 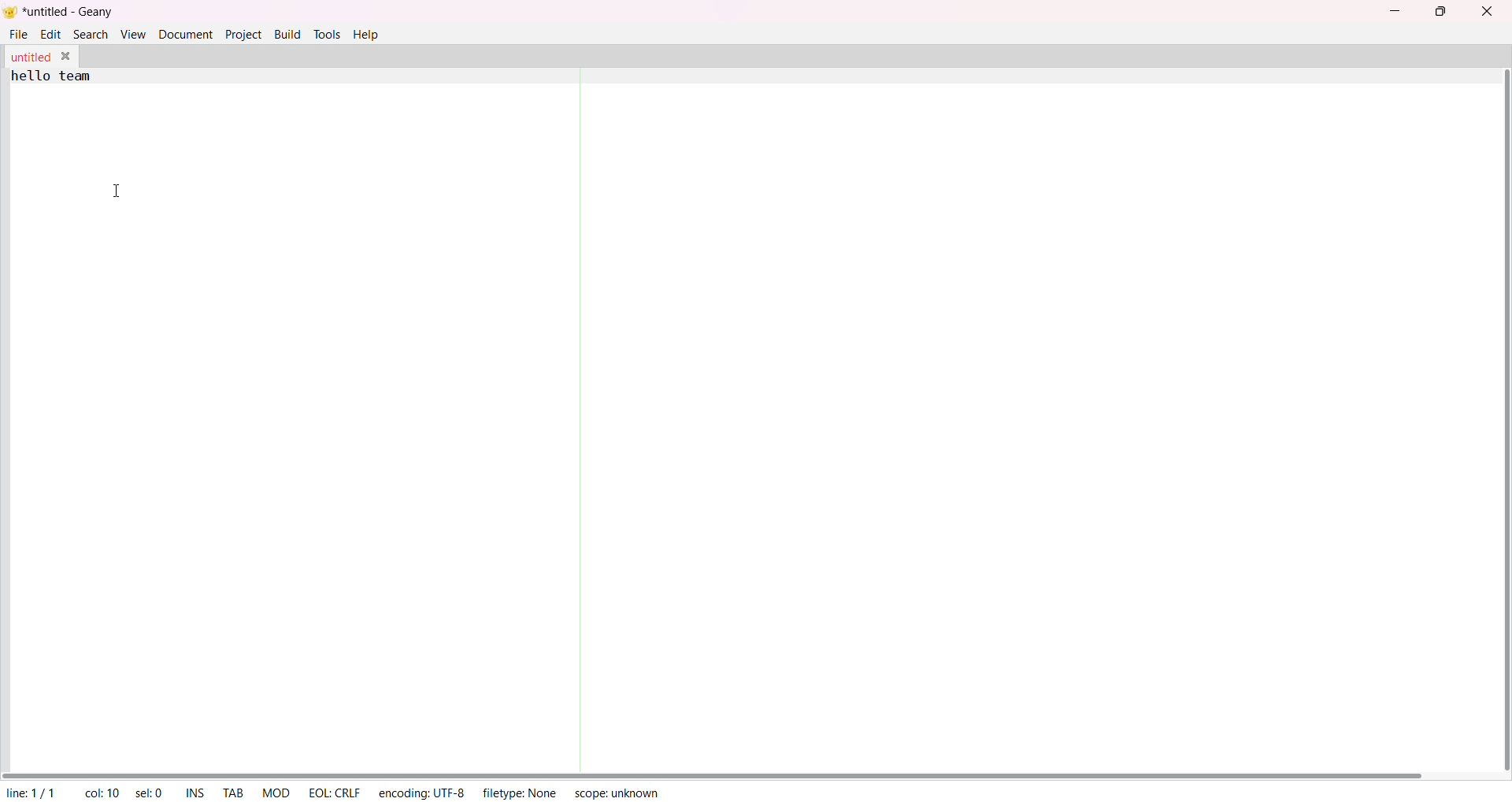 I want to click on column: 10, so click(x=102, y=792).